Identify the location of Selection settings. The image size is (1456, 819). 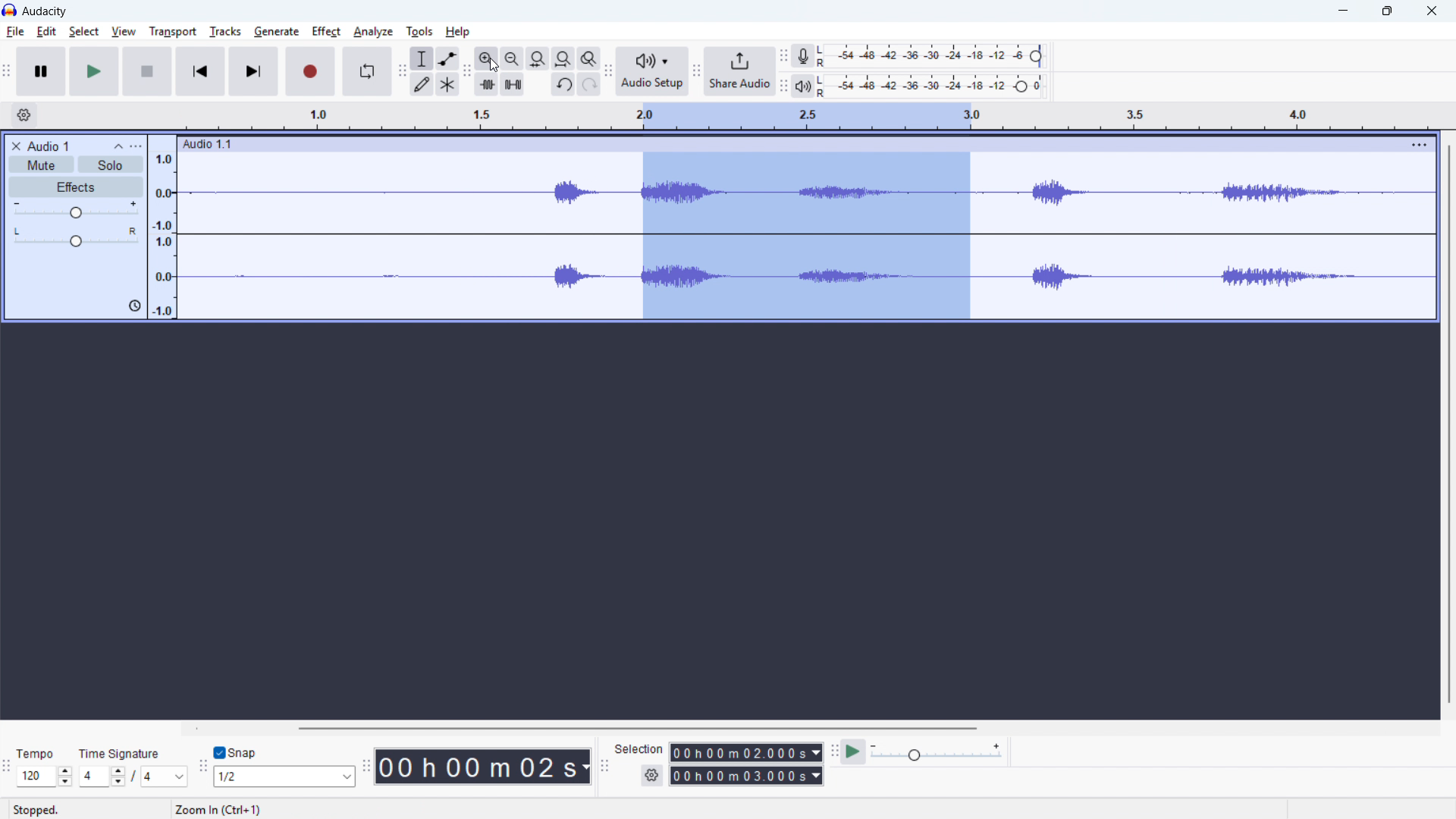
(652, 774).